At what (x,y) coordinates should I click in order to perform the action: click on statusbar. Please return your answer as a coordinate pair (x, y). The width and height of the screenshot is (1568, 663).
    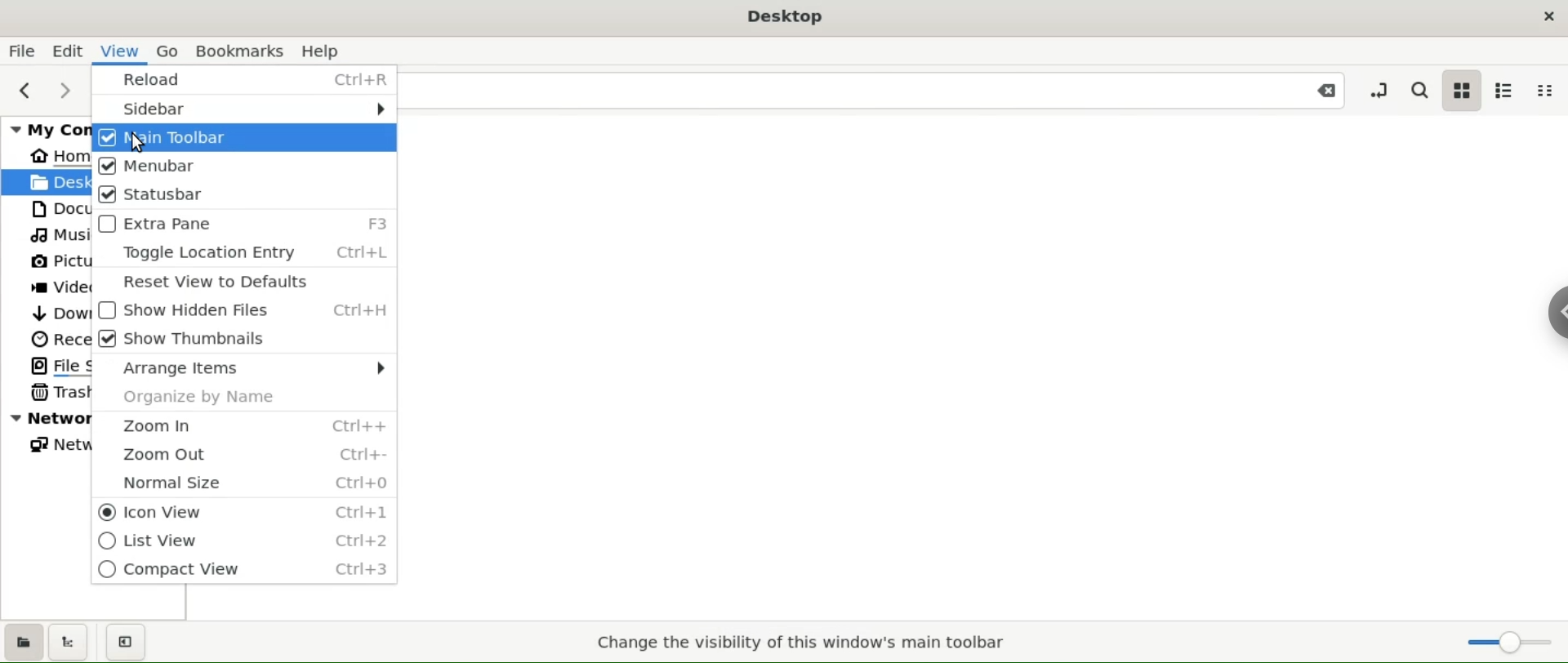
    Looking at the image, I should click on (243, 194).